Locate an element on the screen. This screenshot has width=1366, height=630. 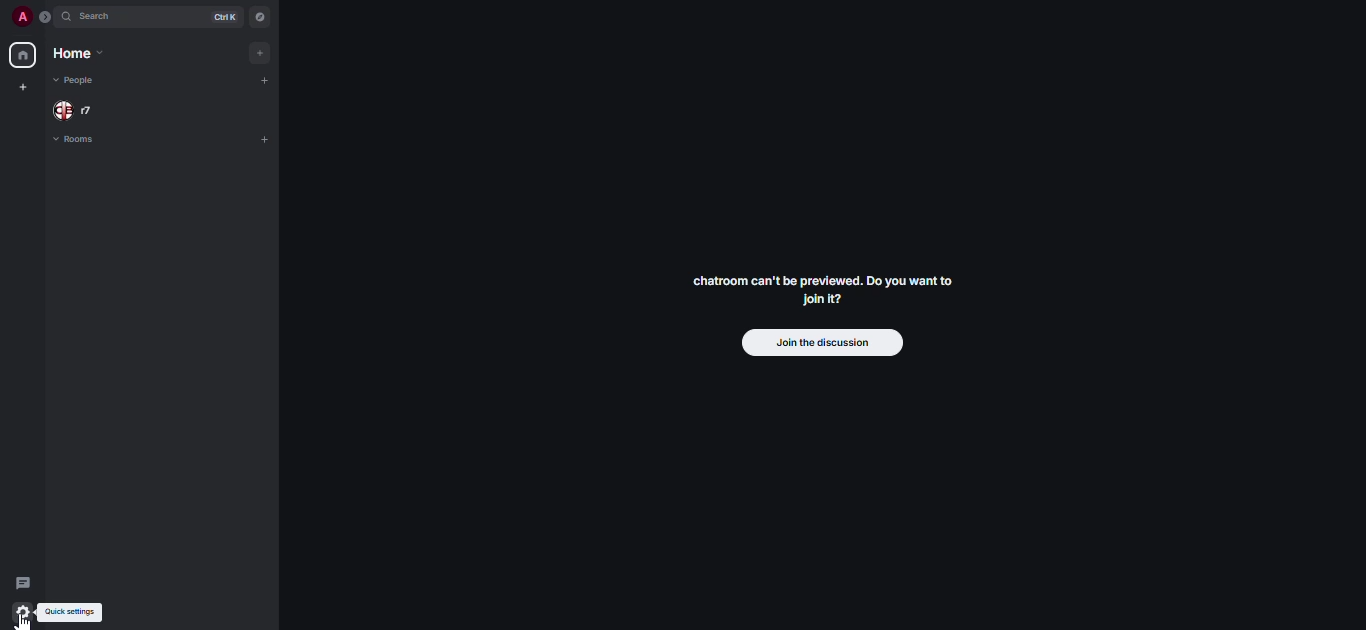
search is located at coordinates (93, 17).